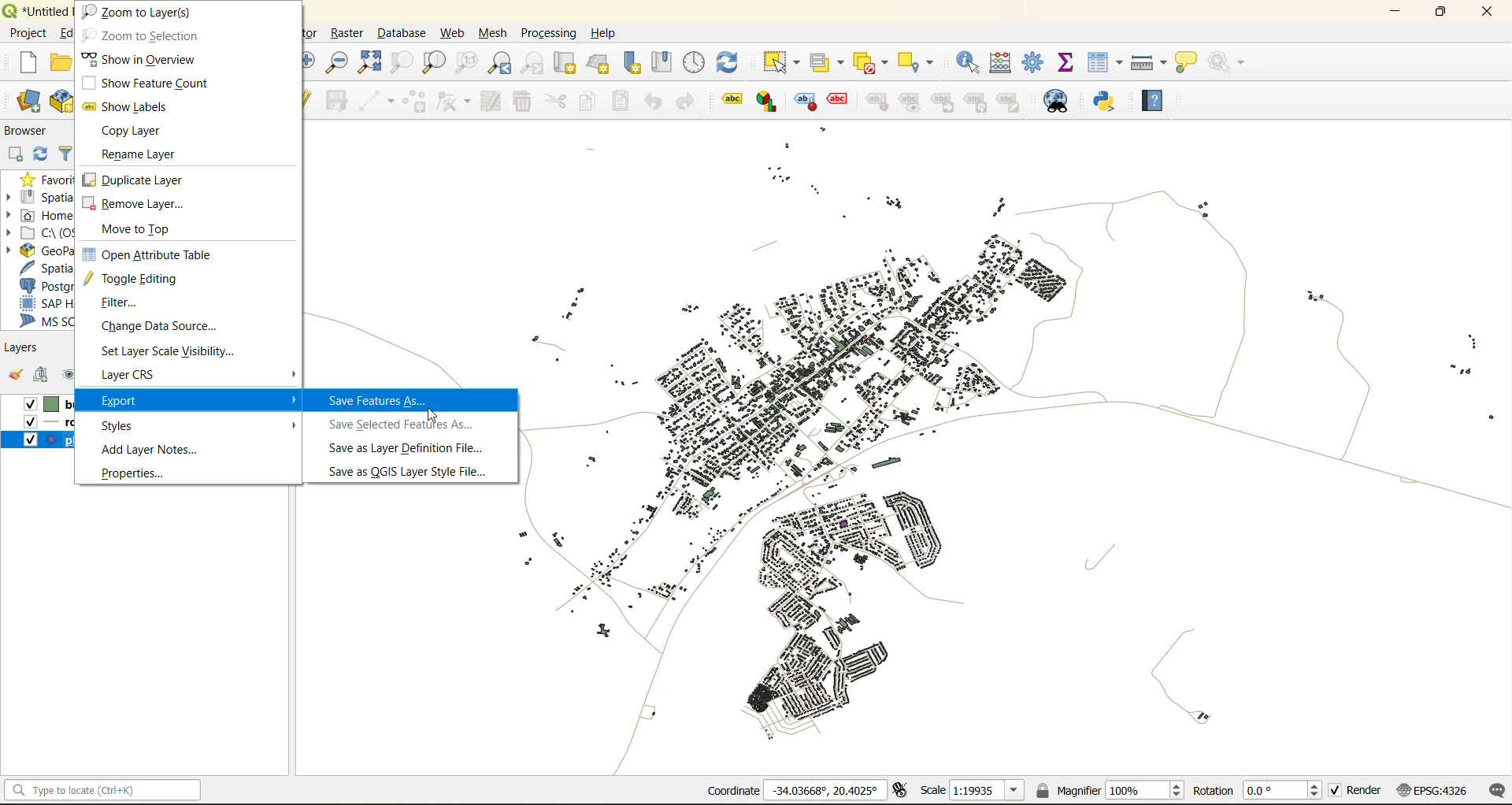 The height and width of the screenshot is (805, 1512). What do you see at coordinates (167, 352) in the screenshot?
I see `set layer scale visibility` at bounding box center [167, 352].